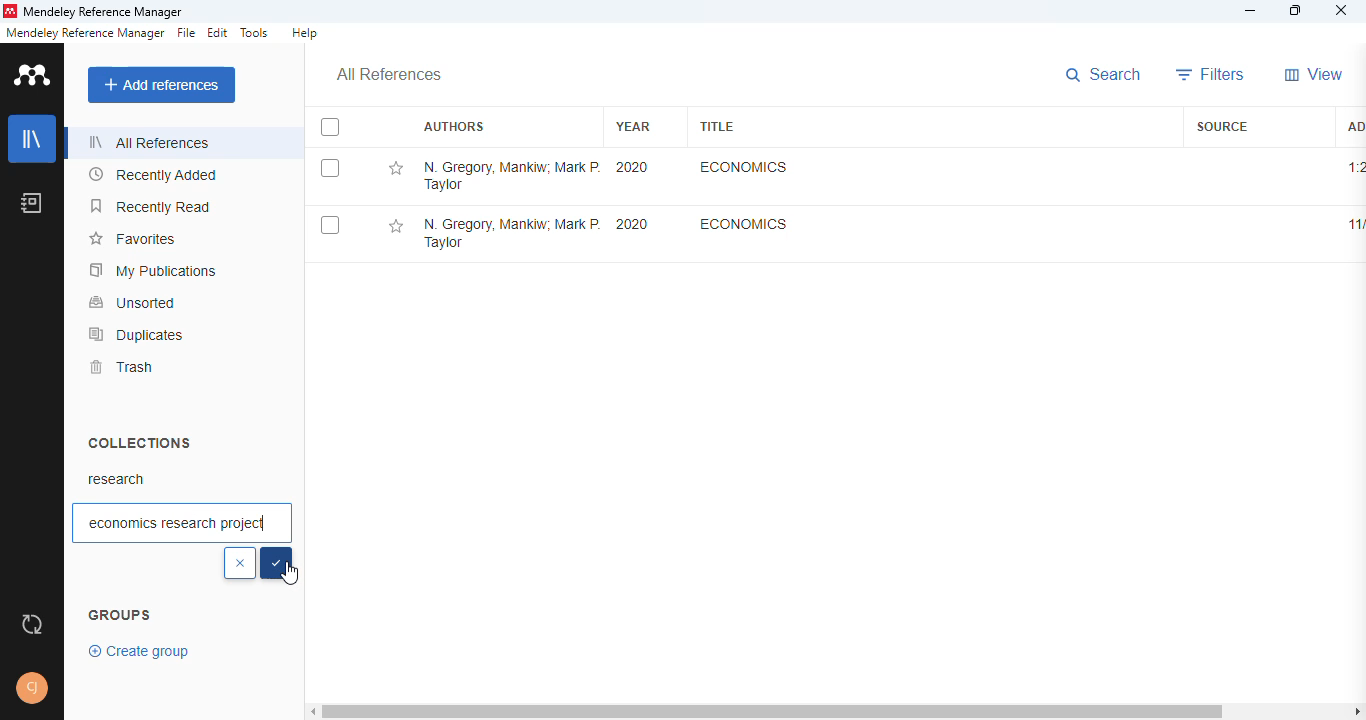  What do you see at coordinates (633, 126) in the screenshot?
I see `year` at bounding box center [633, 126].